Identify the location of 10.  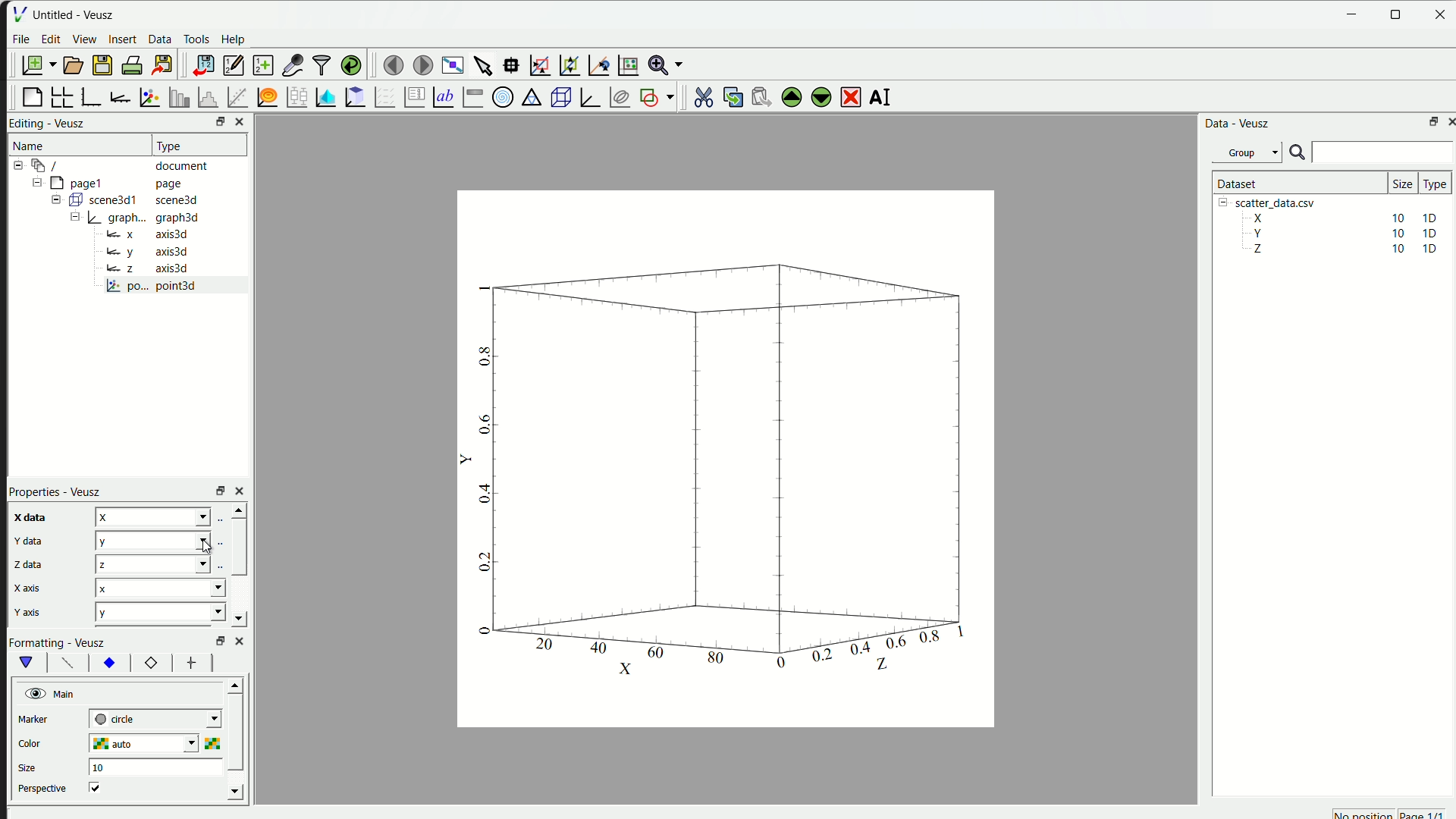
(97, 767).